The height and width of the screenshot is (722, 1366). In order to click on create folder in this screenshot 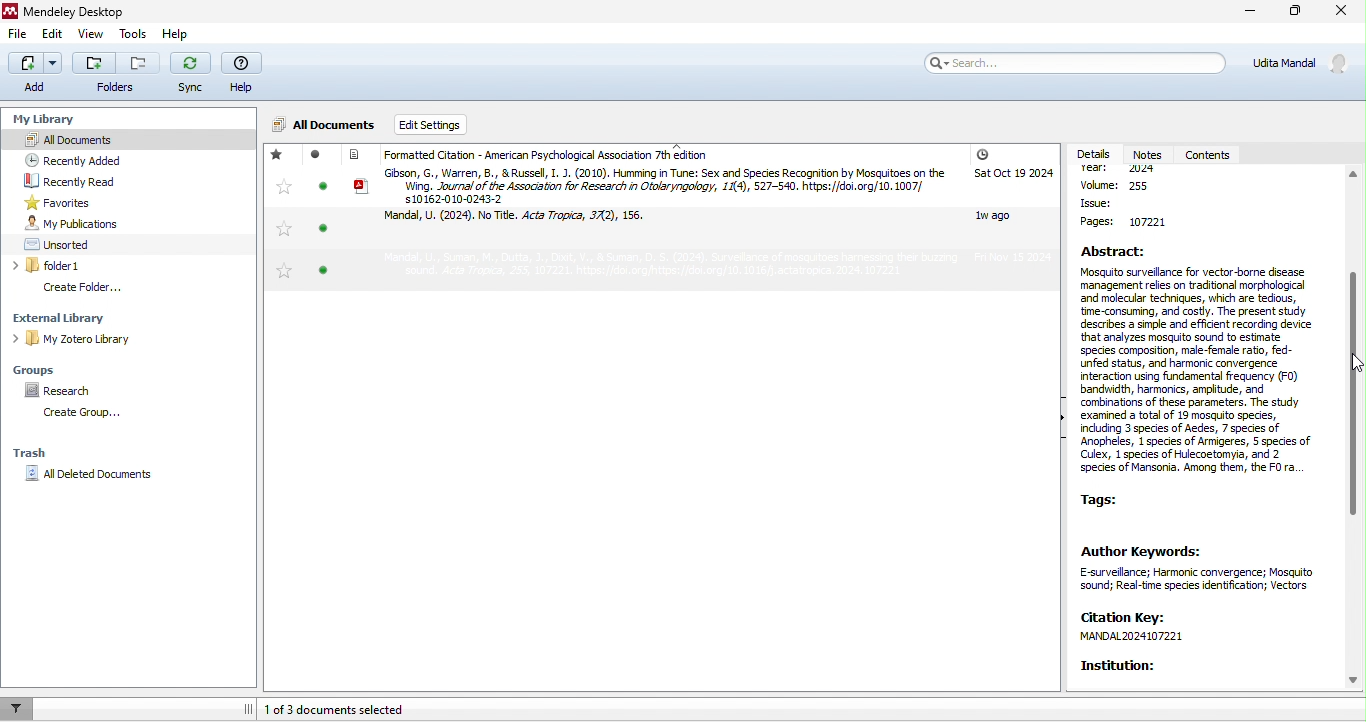, I will do `click(99, 287)`.